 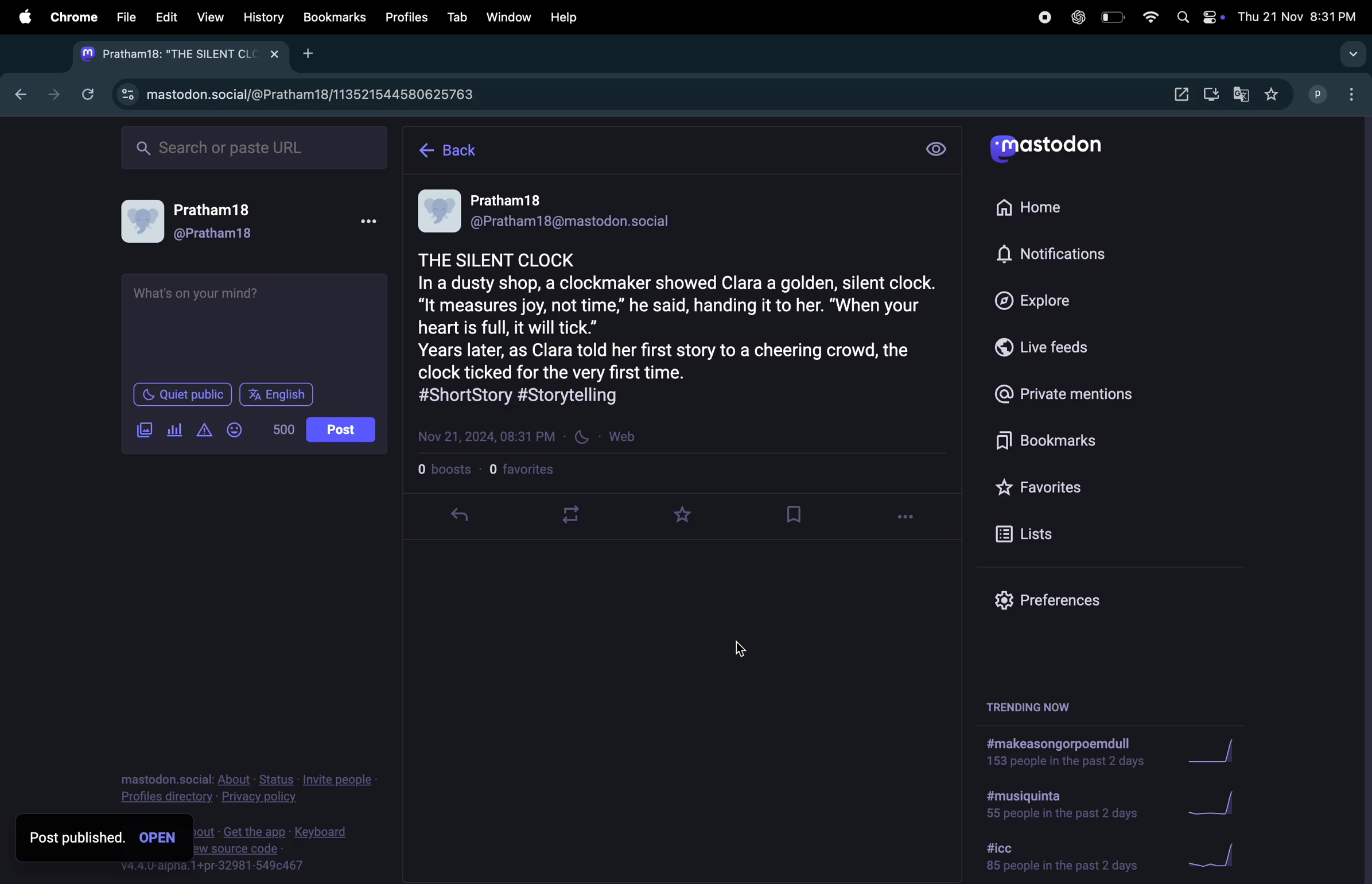 What do you see at coordinates (273, 55) in the screenshot?
I see `close` at bounding box center [273, 55].